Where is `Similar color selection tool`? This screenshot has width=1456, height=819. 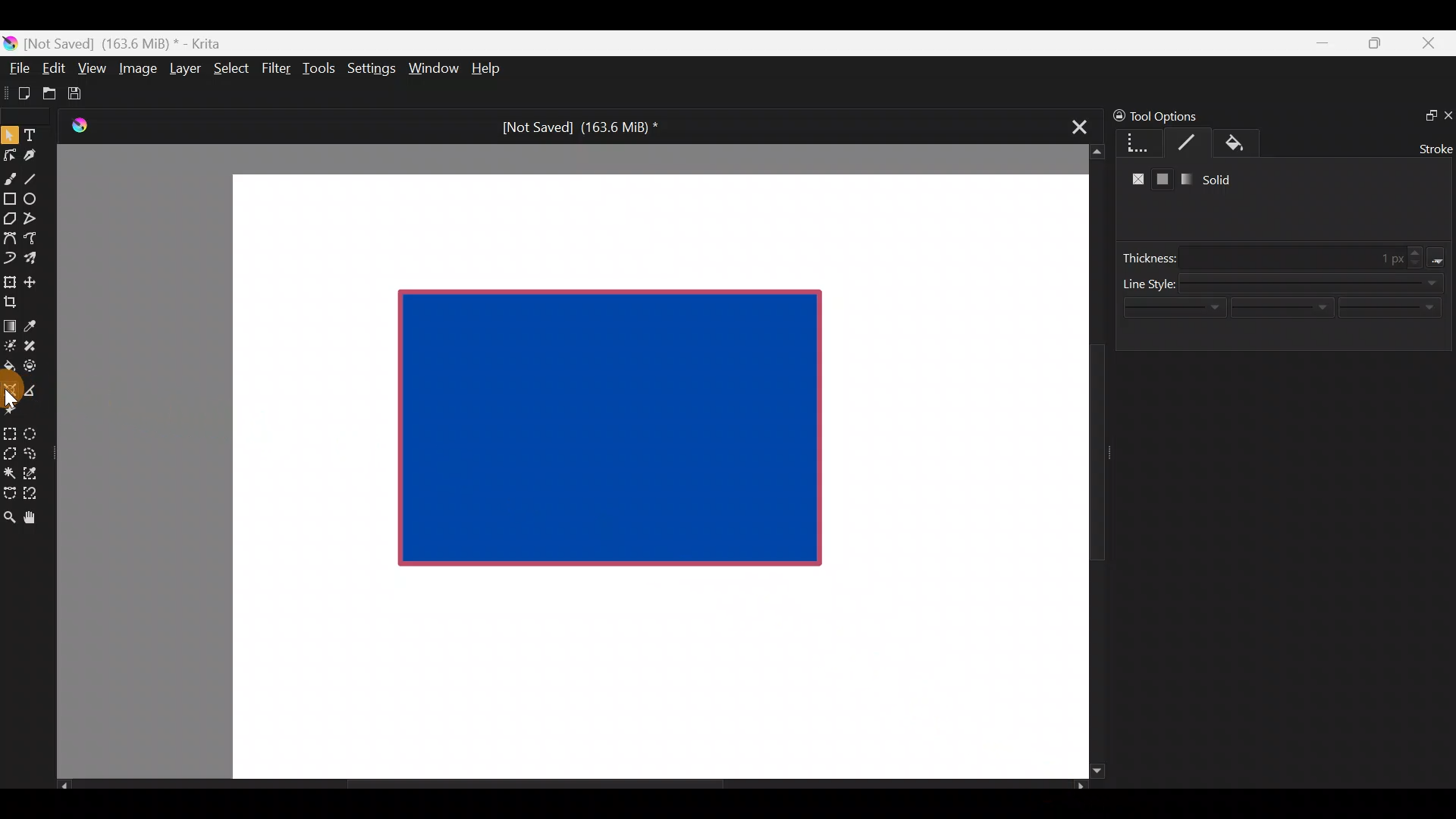 Similar color selection tool is located at coordinates (33, 472).